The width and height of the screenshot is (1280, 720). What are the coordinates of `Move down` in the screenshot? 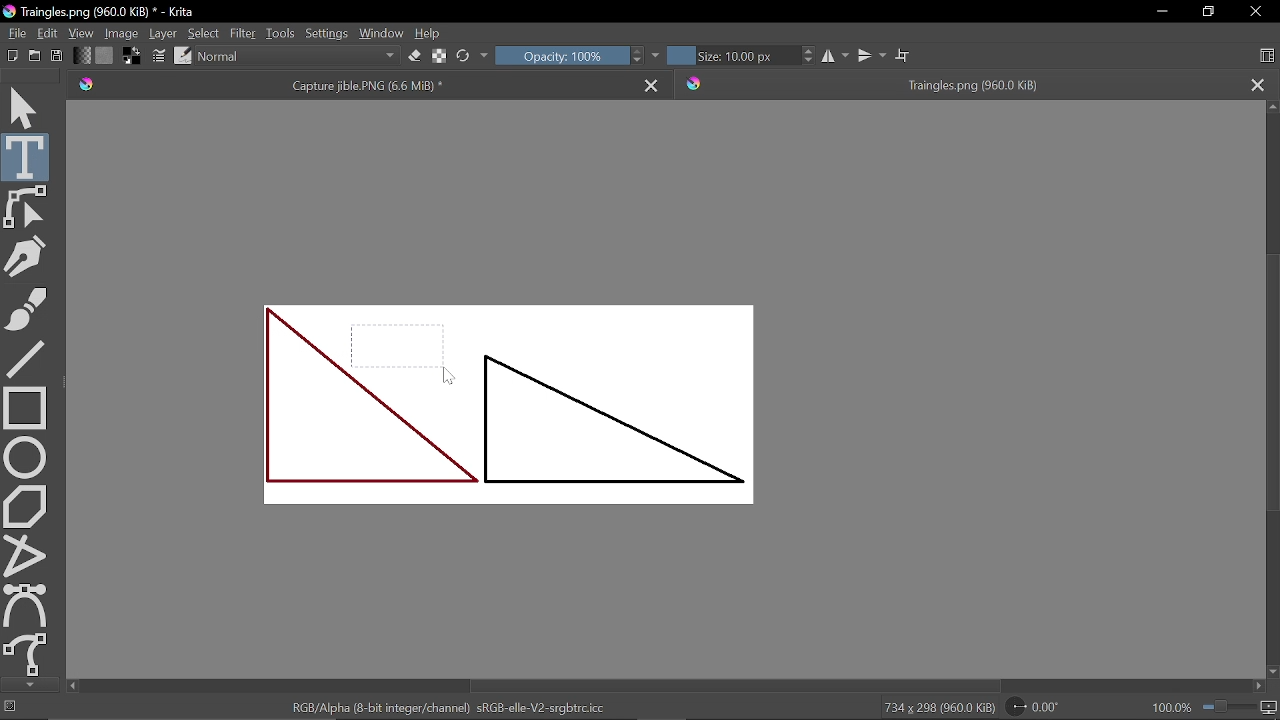 It's located at (1272, 672).